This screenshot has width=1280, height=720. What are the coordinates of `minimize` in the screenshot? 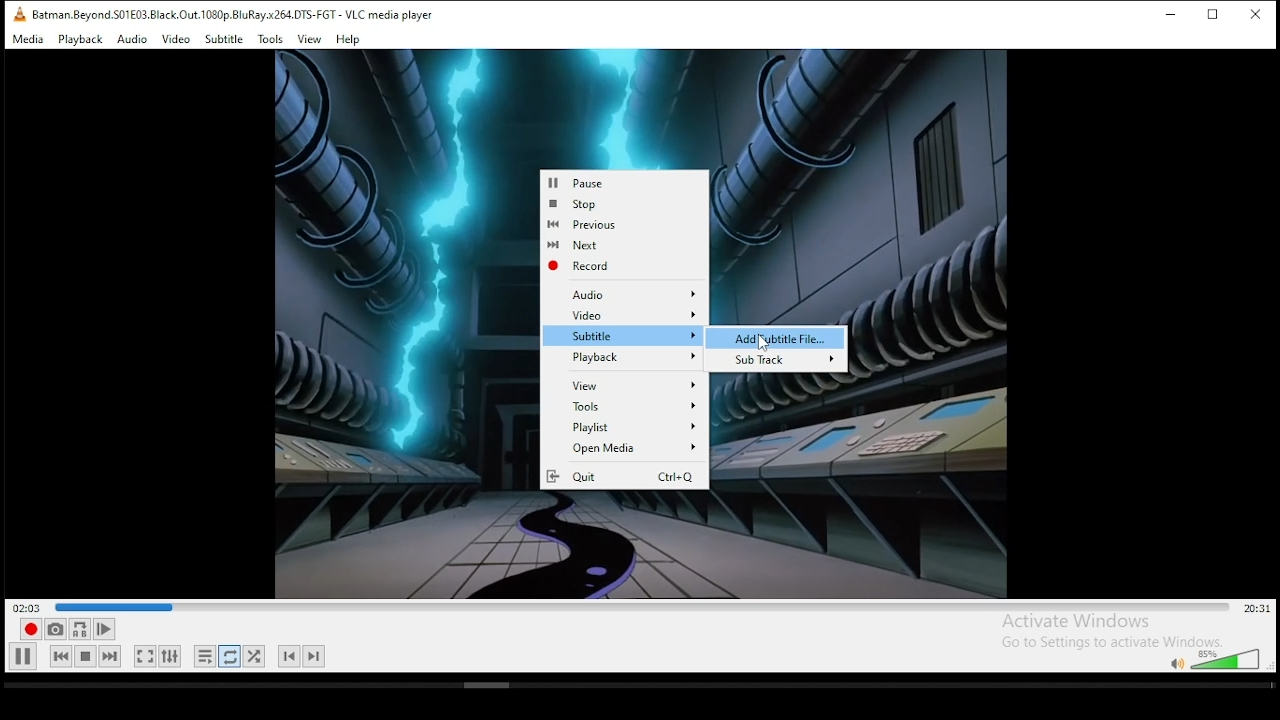 It's located at (1168, 16).